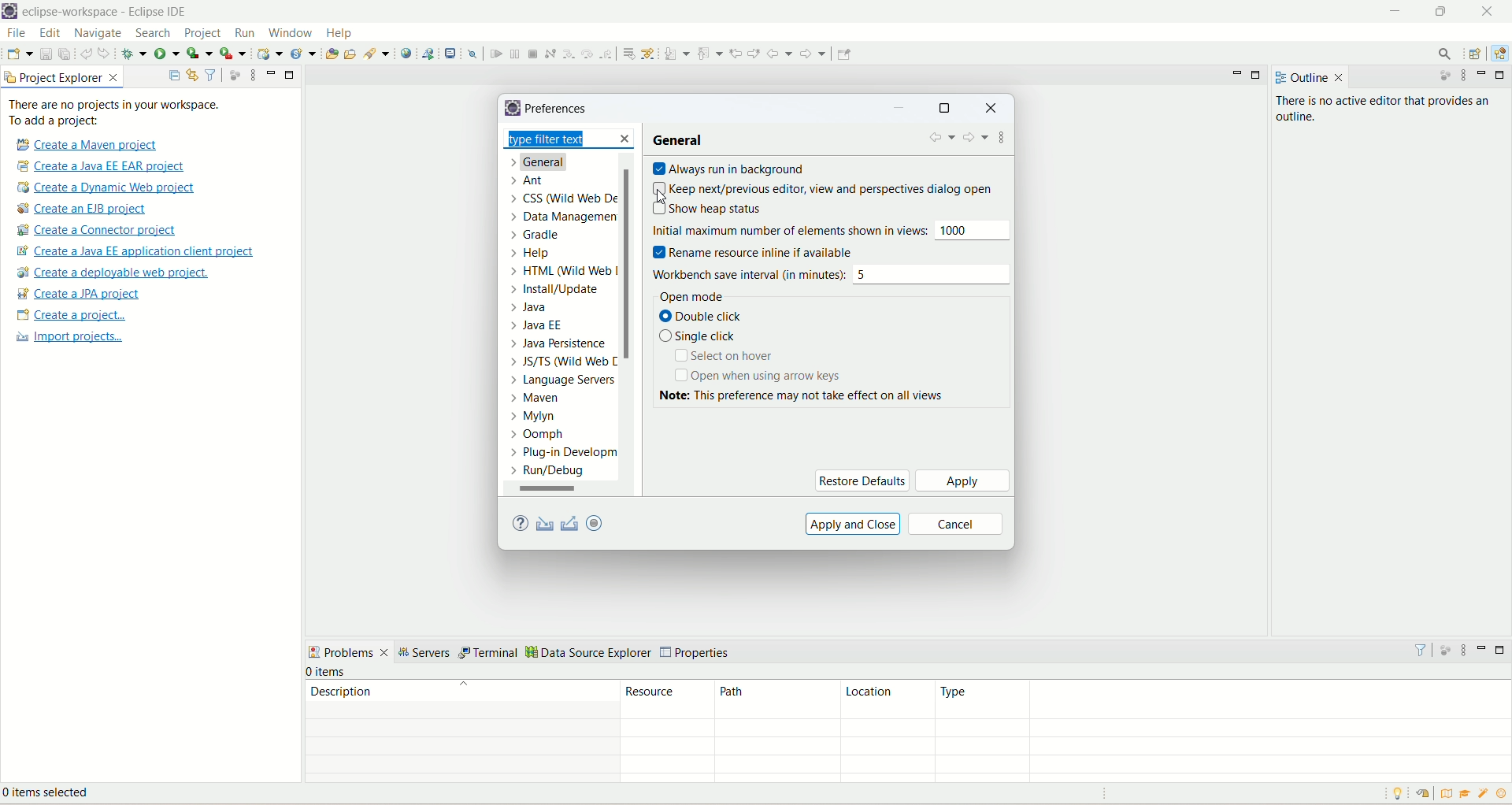  Describe the element at coordinates (1259, 76) in the screenshot. I see `maximize` at that location.